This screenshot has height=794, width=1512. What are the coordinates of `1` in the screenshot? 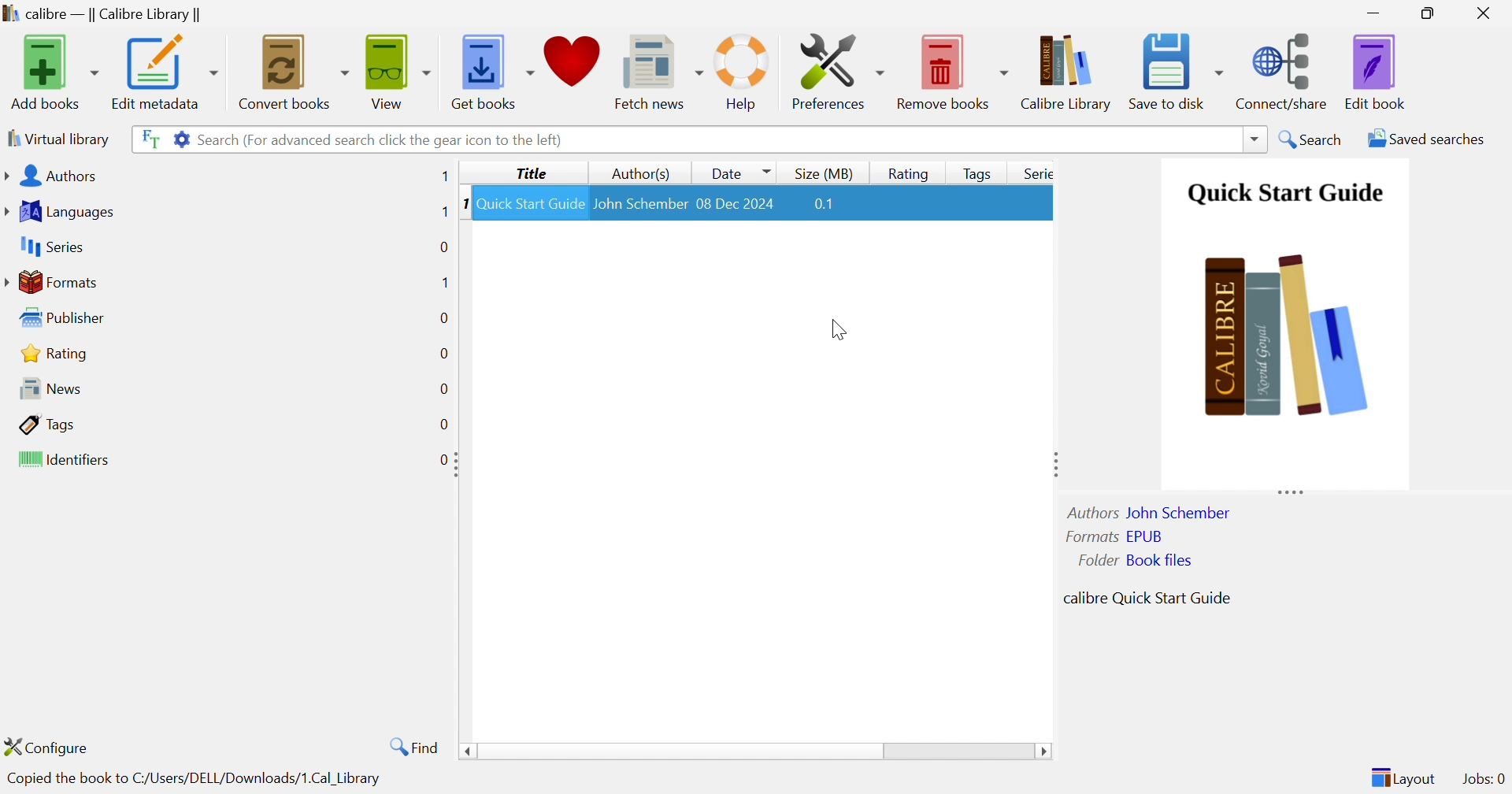 It's located at (444, 176).